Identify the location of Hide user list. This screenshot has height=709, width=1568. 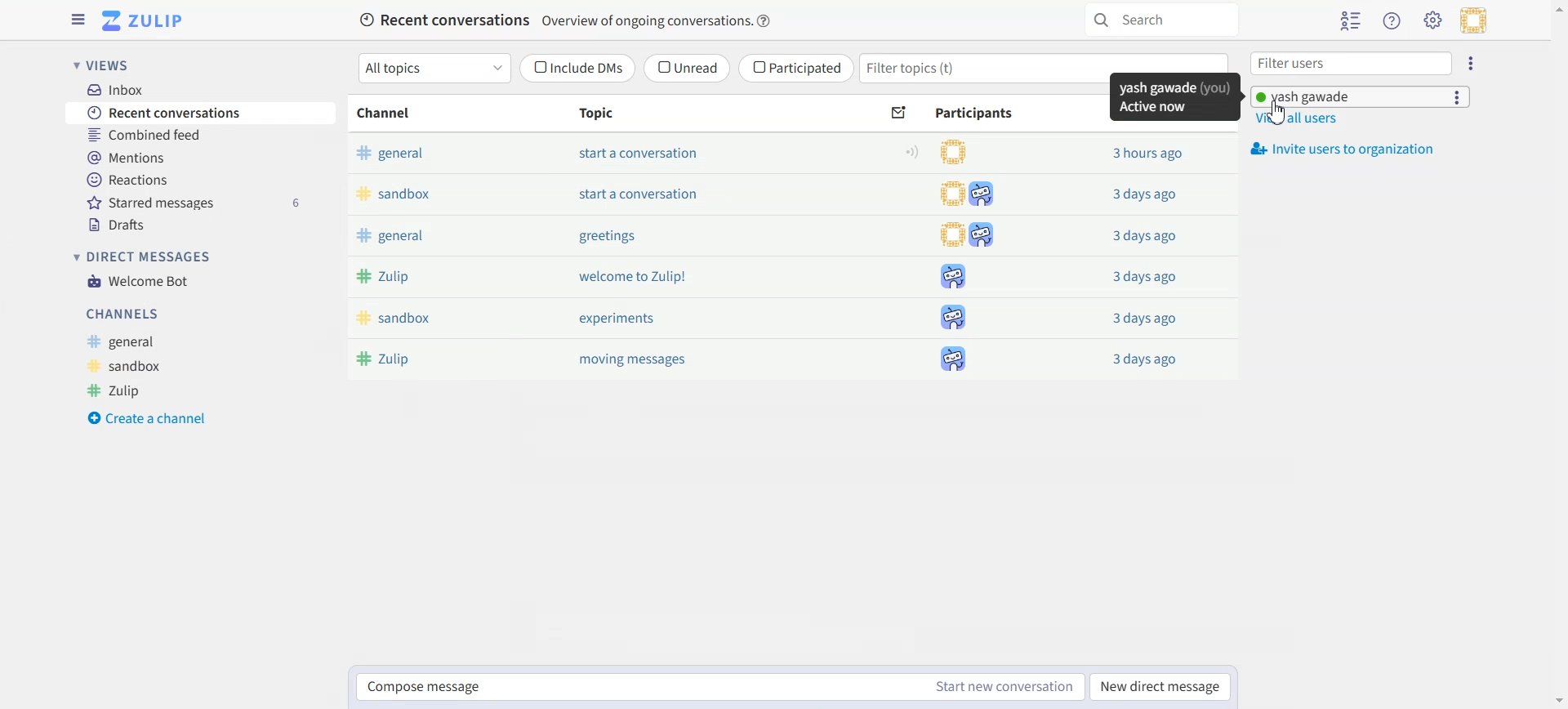
(1352, 20).